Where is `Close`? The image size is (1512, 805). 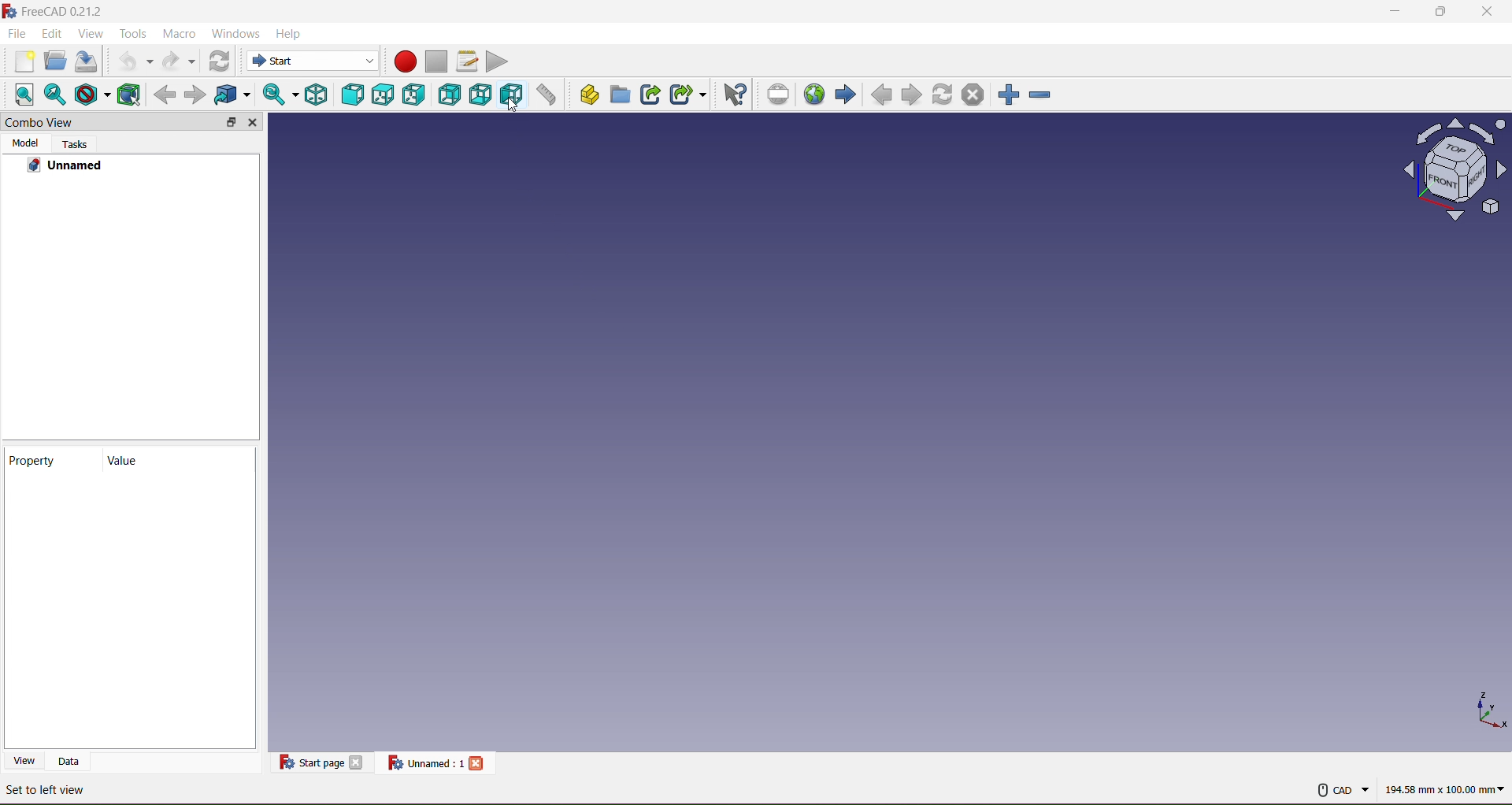 Close is located at coordinates (253, 122).